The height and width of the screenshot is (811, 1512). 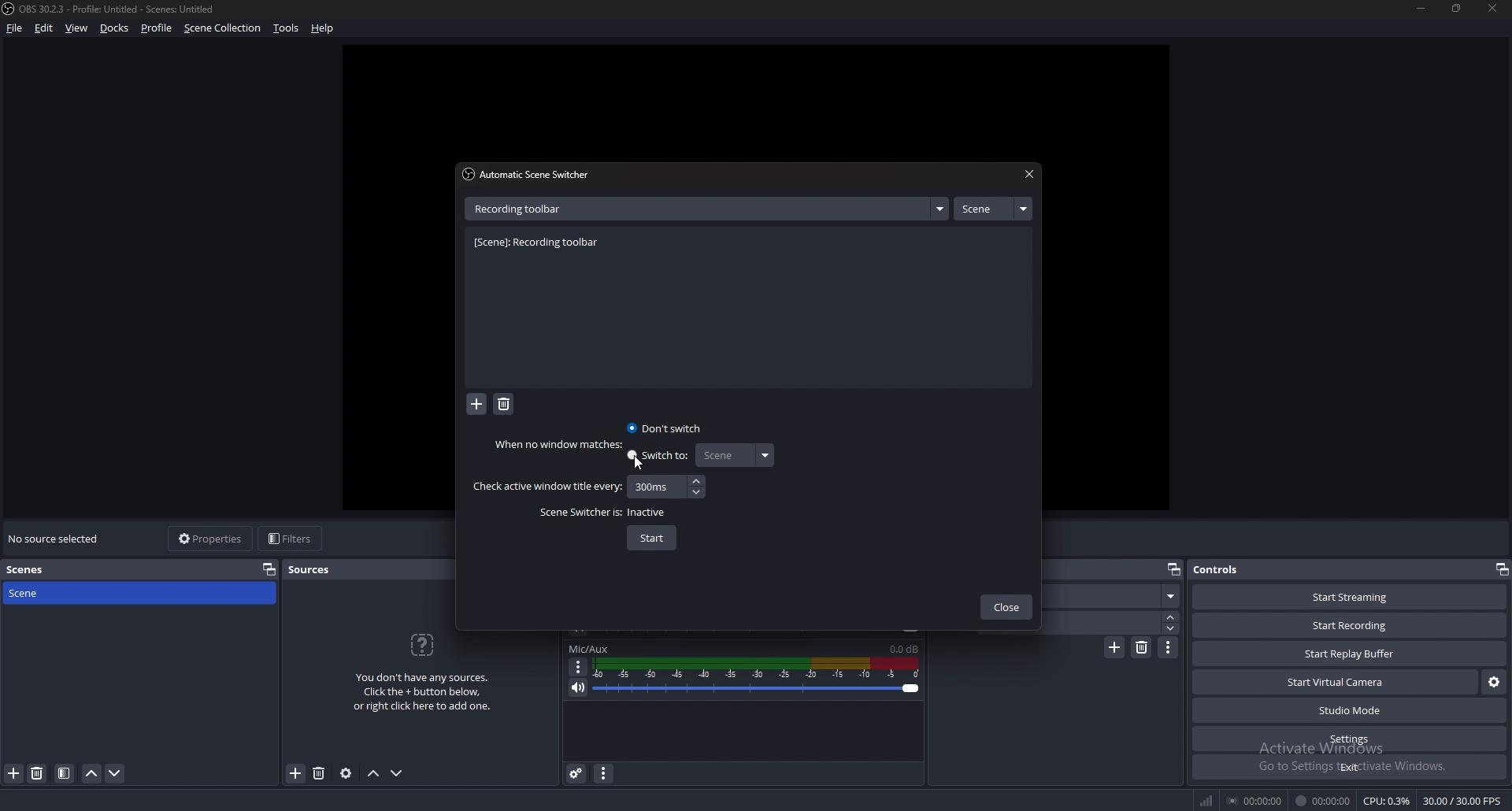 What do you see at coordinates (1143, 647) in the screenshot?
I see `remove transition` at bounding box center [1143, 647].